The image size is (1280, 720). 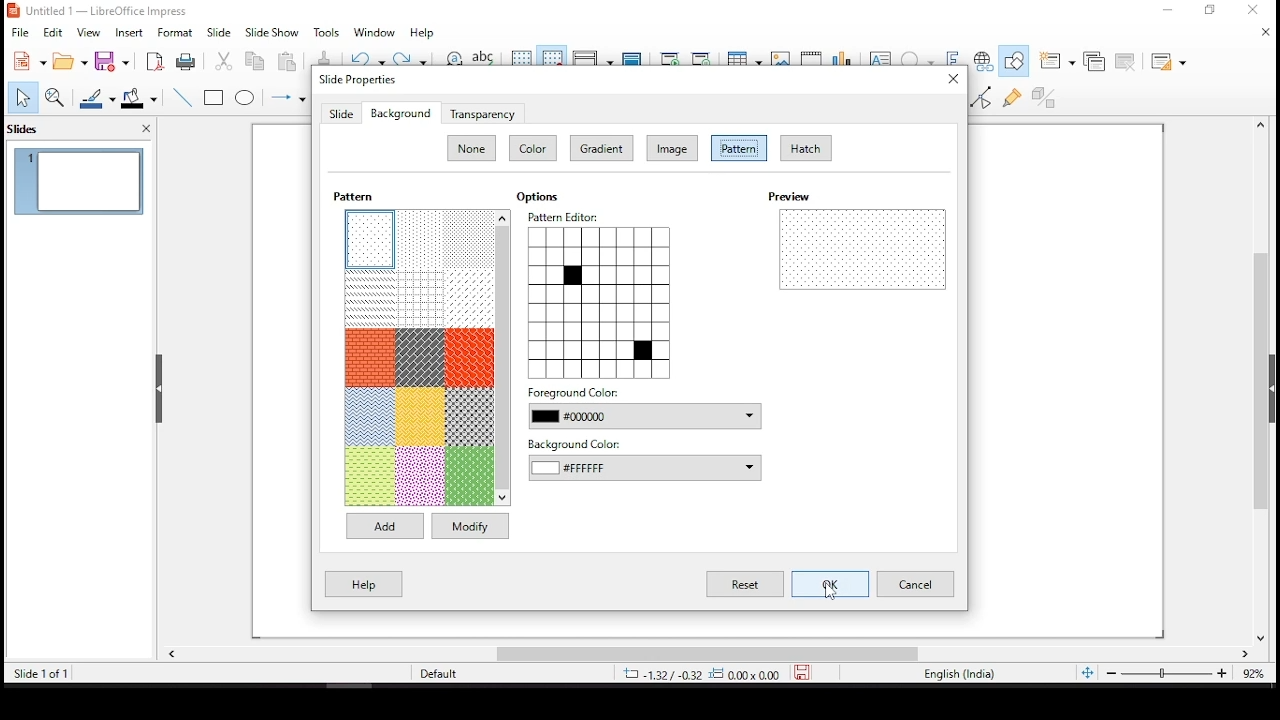 I want to click on edit, so click(x=52, y=31).